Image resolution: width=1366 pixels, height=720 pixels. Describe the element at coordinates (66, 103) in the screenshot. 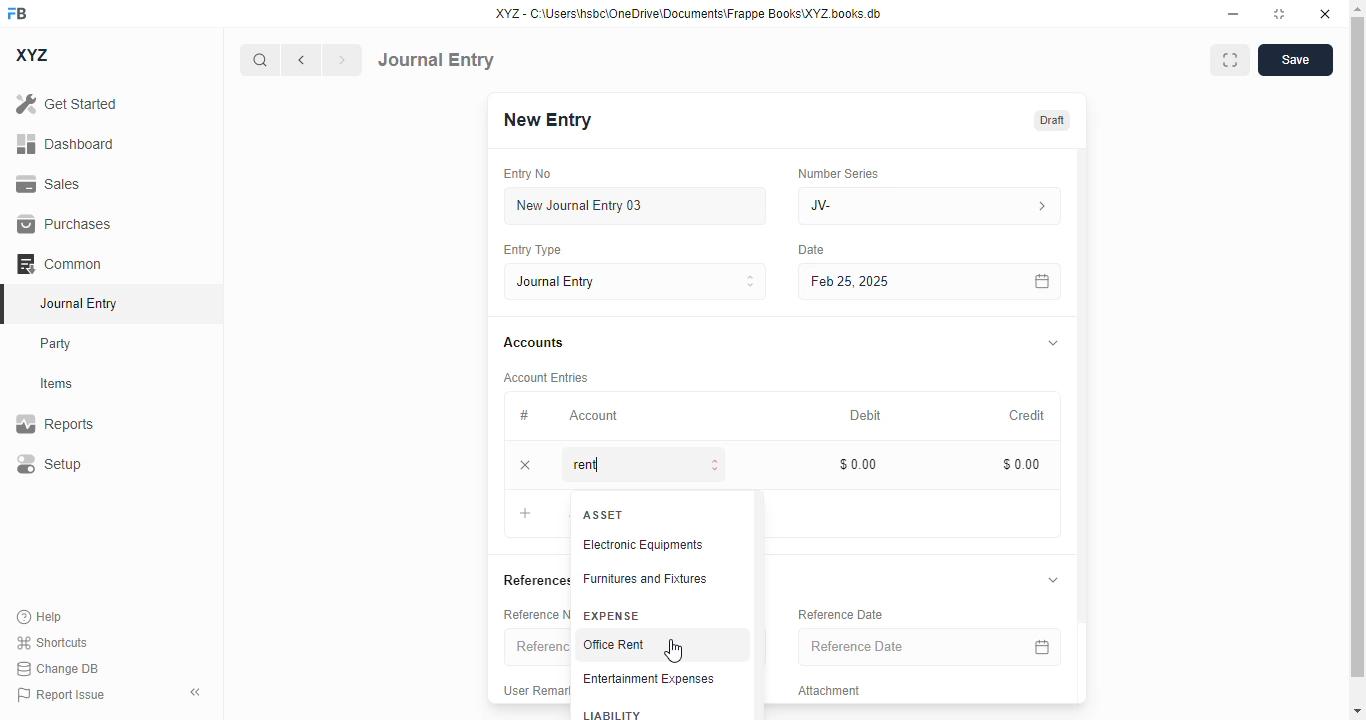

I see `get started` at that location.